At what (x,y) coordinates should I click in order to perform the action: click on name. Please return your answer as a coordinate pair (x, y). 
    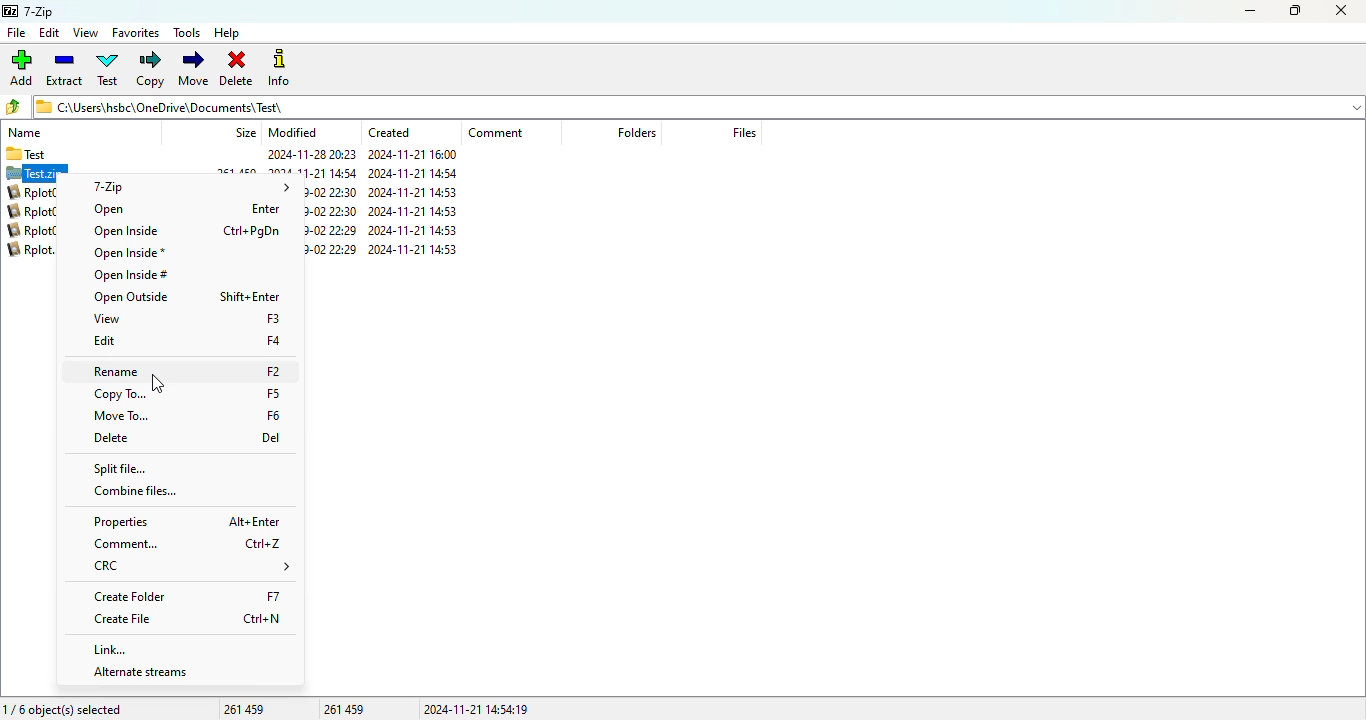
    Looking at the image, I should click on (25, 133).